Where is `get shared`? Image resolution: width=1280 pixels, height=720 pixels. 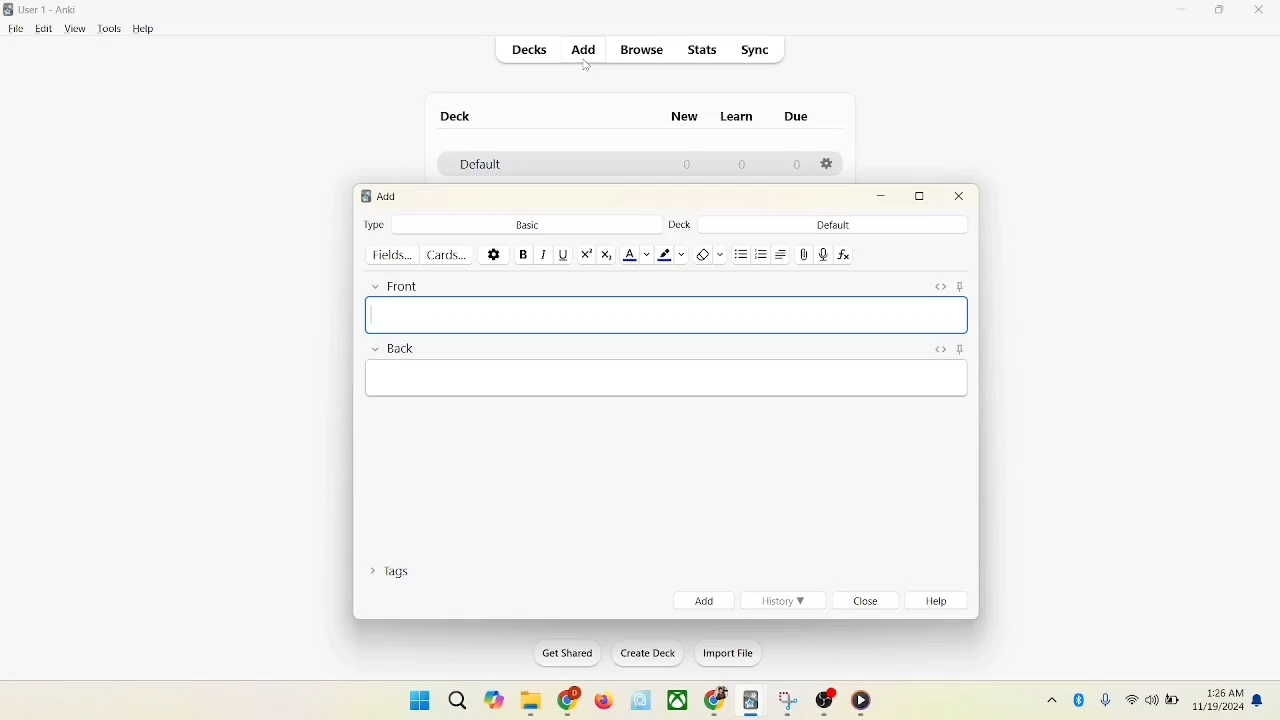
get shared is located at coordinates (561, 653).